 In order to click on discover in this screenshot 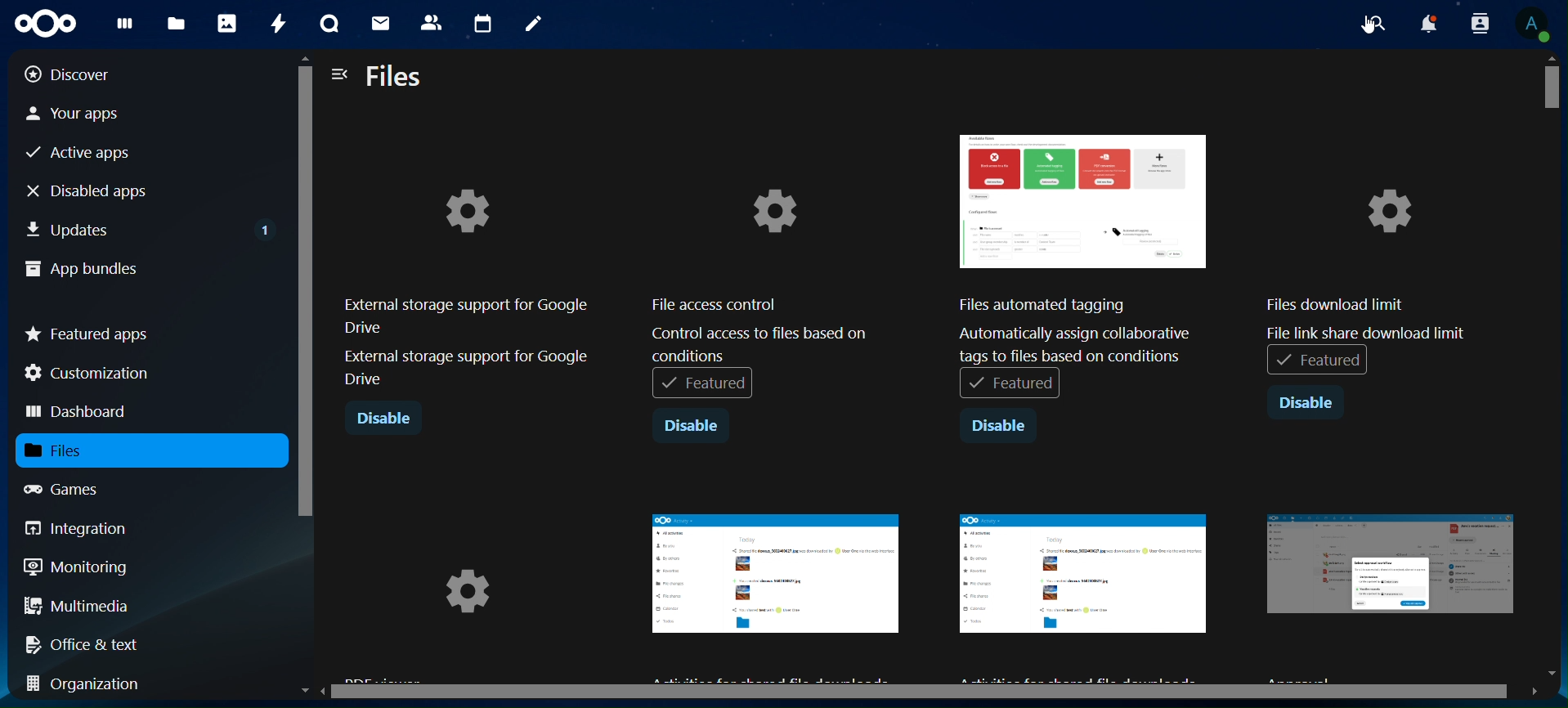, I will do `click(80, 74)`.